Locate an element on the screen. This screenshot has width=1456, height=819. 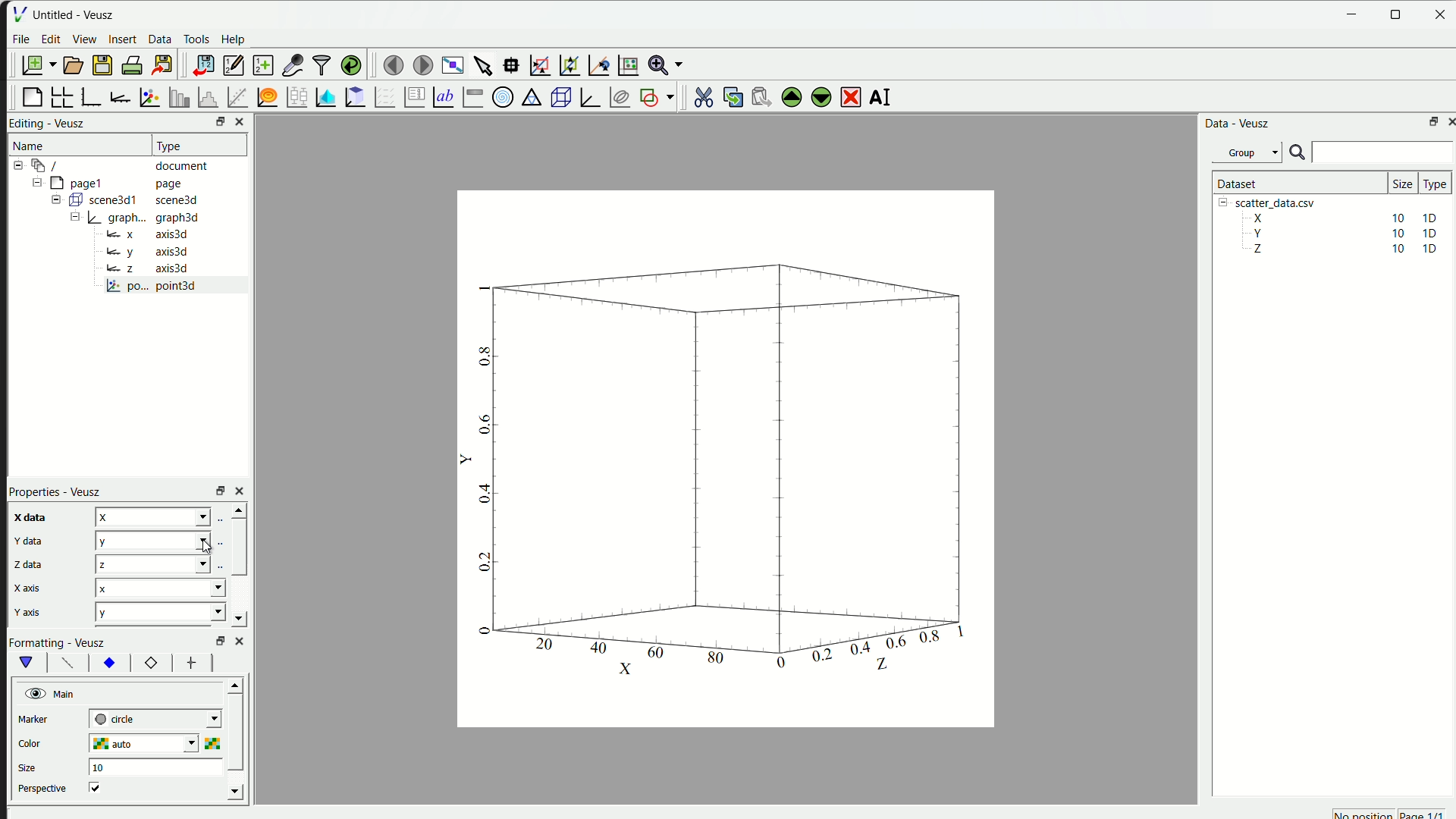
cut the selected widget is located at coordinates (701, 96).